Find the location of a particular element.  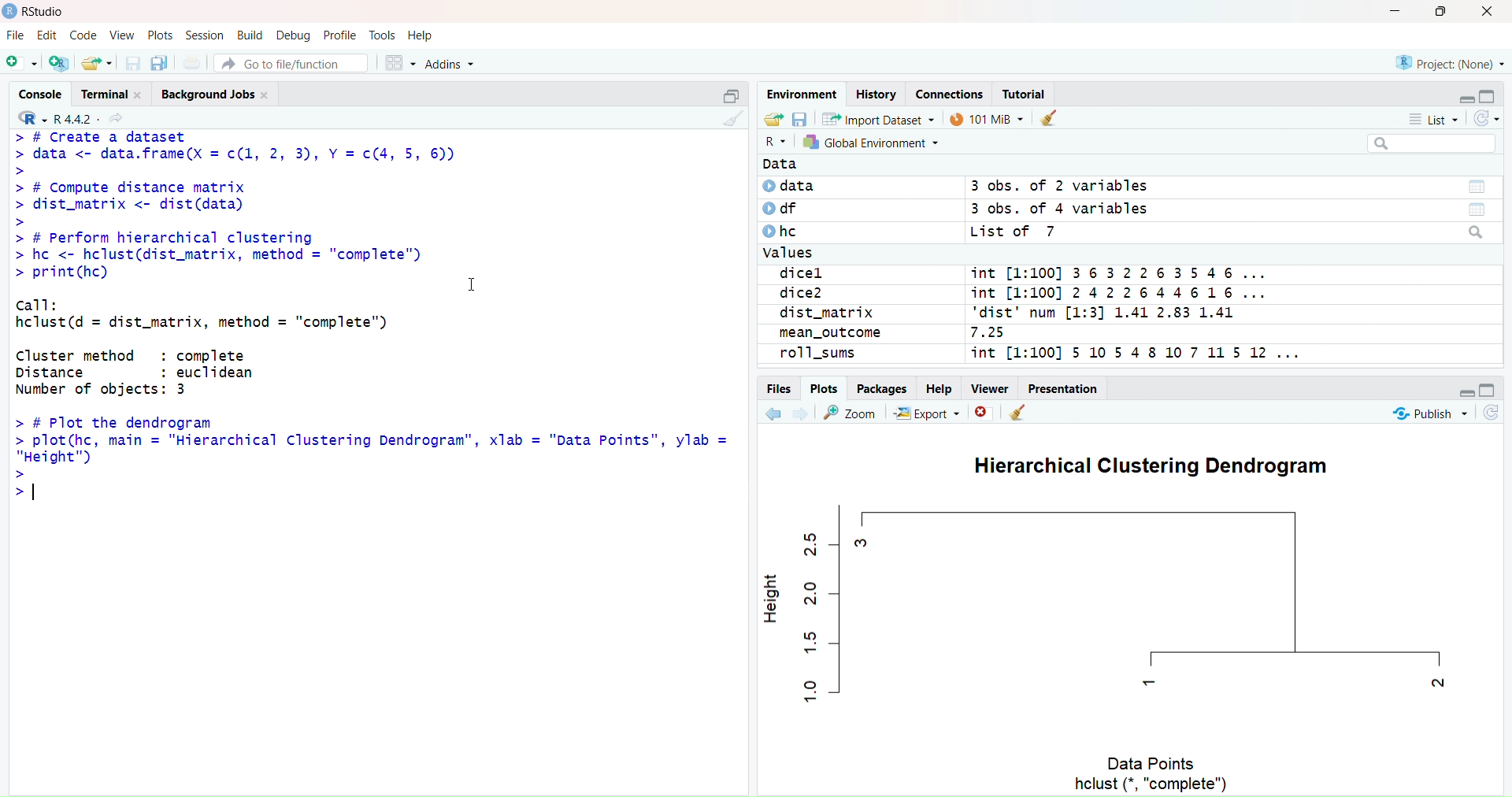

RStudio is located at coordinates (39, 13).